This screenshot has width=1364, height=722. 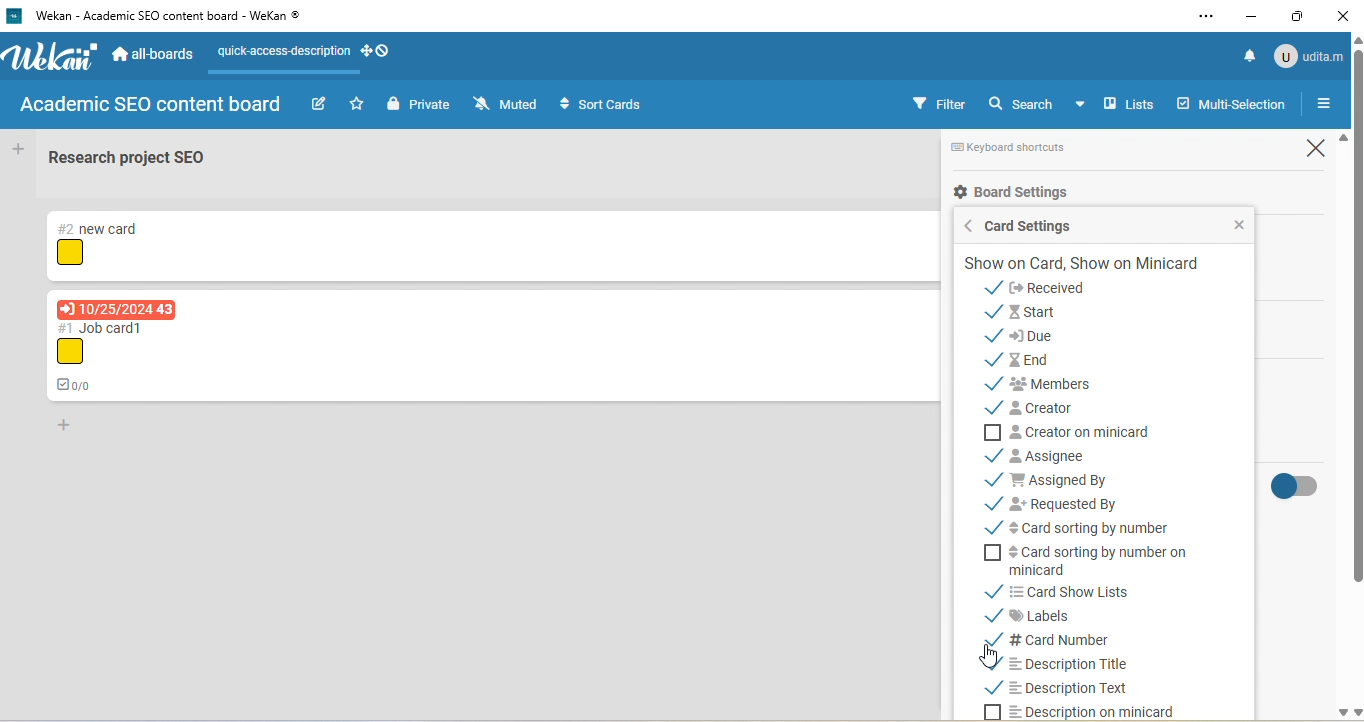 What do you see at coordinates (1300, 489) in the screenshot?
I see `toggle on/off` at bounding box center [1300, 489].